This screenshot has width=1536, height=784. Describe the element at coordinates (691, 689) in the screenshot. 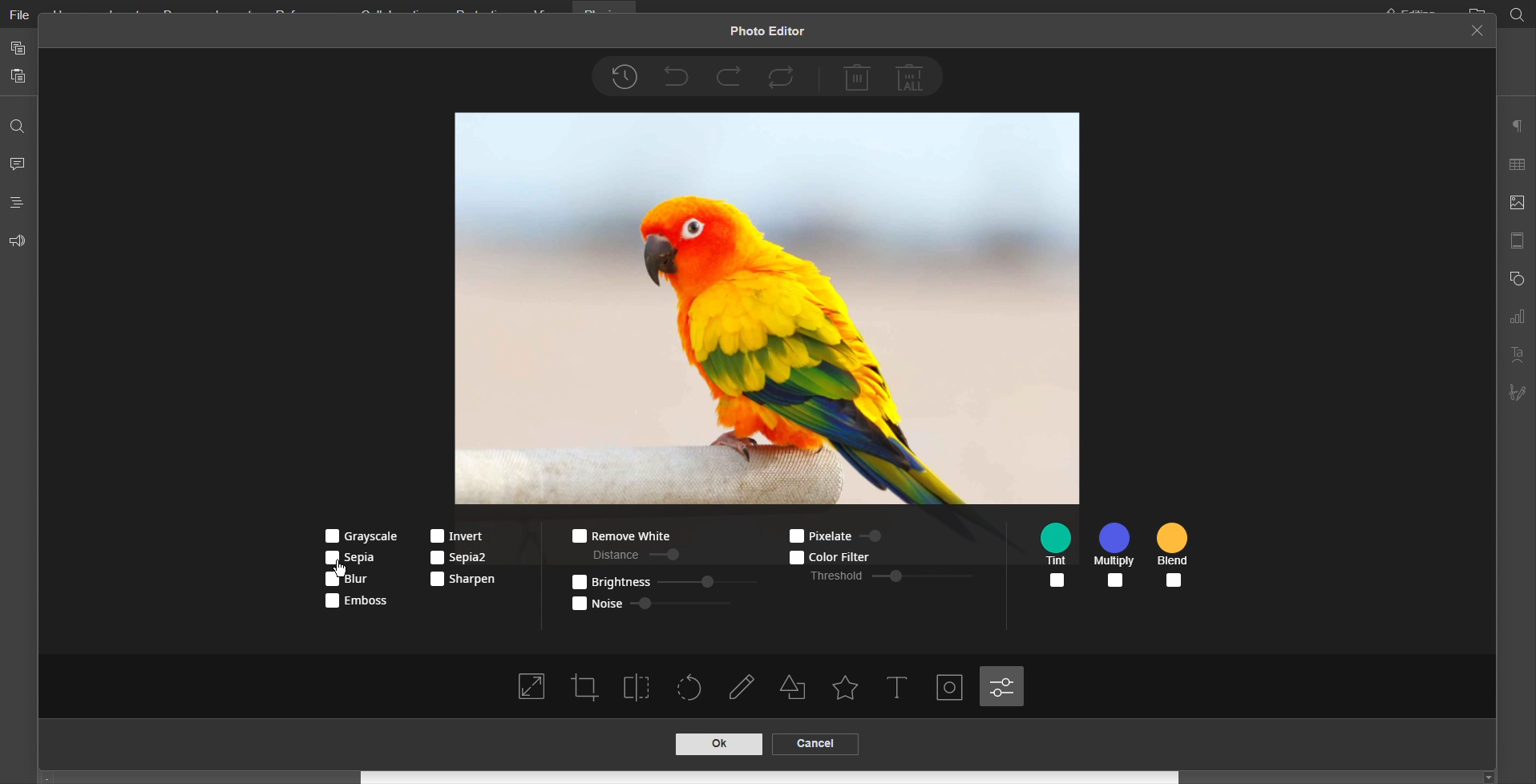

I see `Rotate` at that location.